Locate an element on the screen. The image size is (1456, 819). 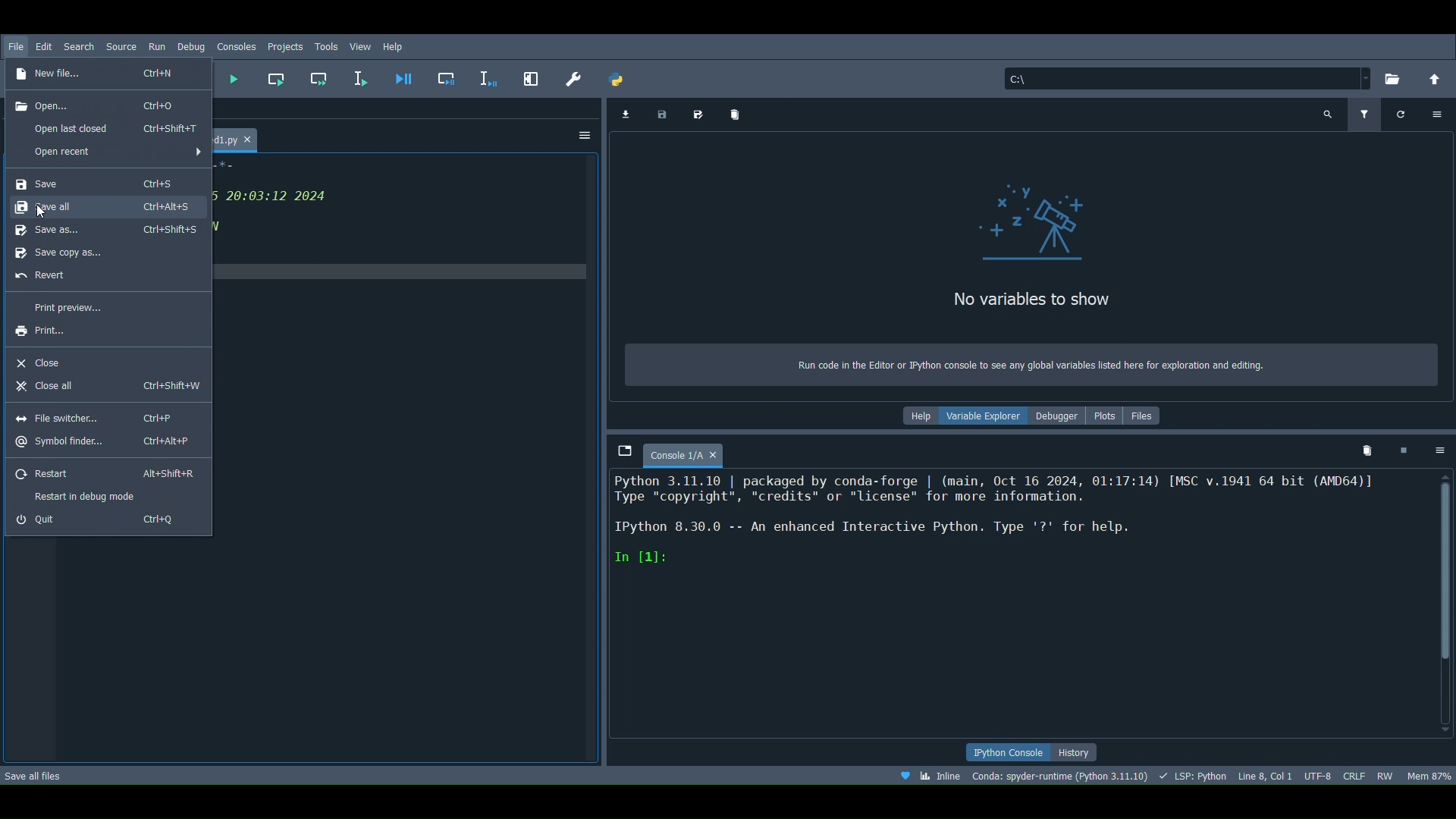
Tools is located at coordinates (327, 45).